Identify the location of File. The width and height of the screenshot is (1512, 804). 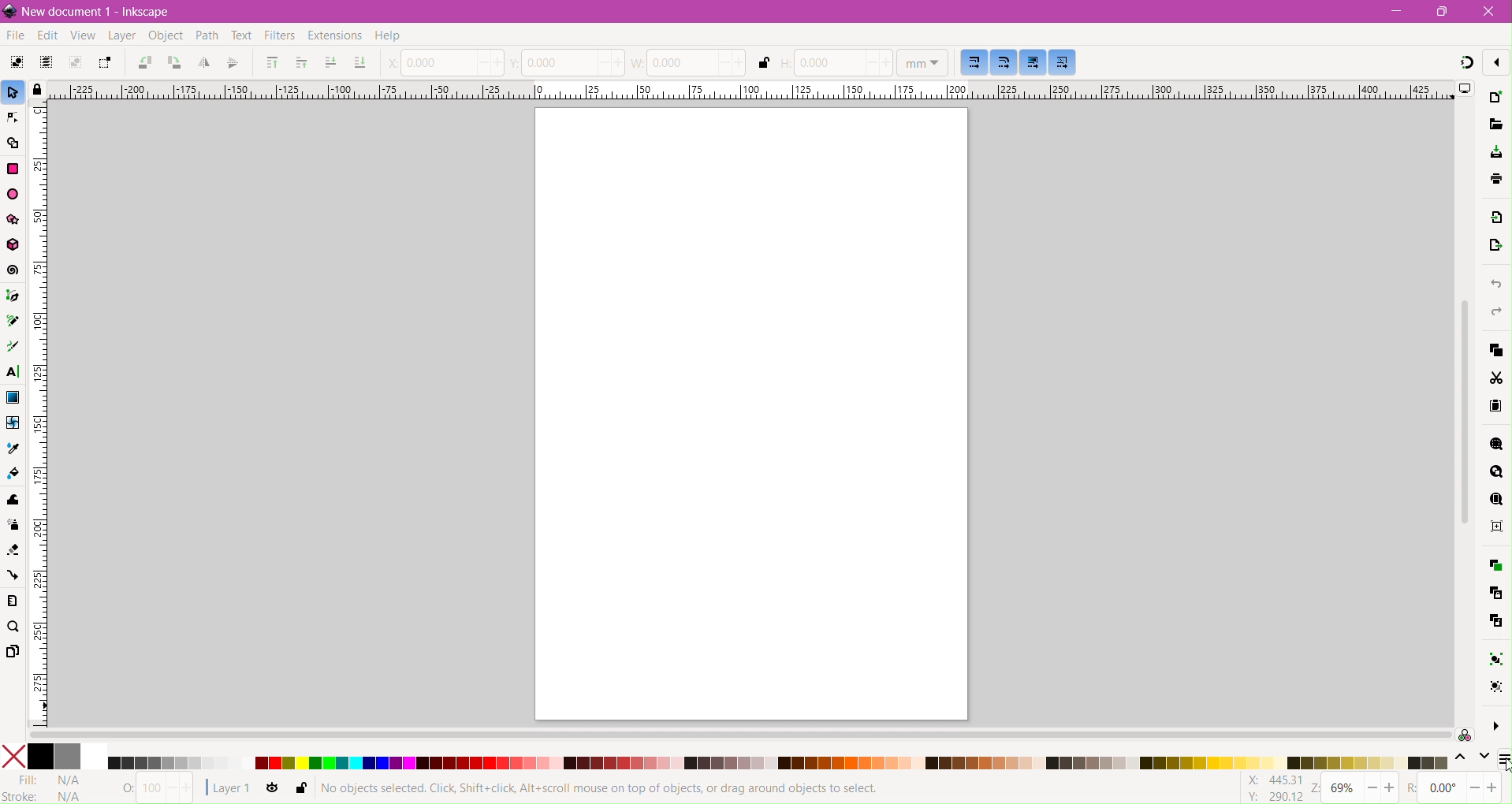
(13, 36).